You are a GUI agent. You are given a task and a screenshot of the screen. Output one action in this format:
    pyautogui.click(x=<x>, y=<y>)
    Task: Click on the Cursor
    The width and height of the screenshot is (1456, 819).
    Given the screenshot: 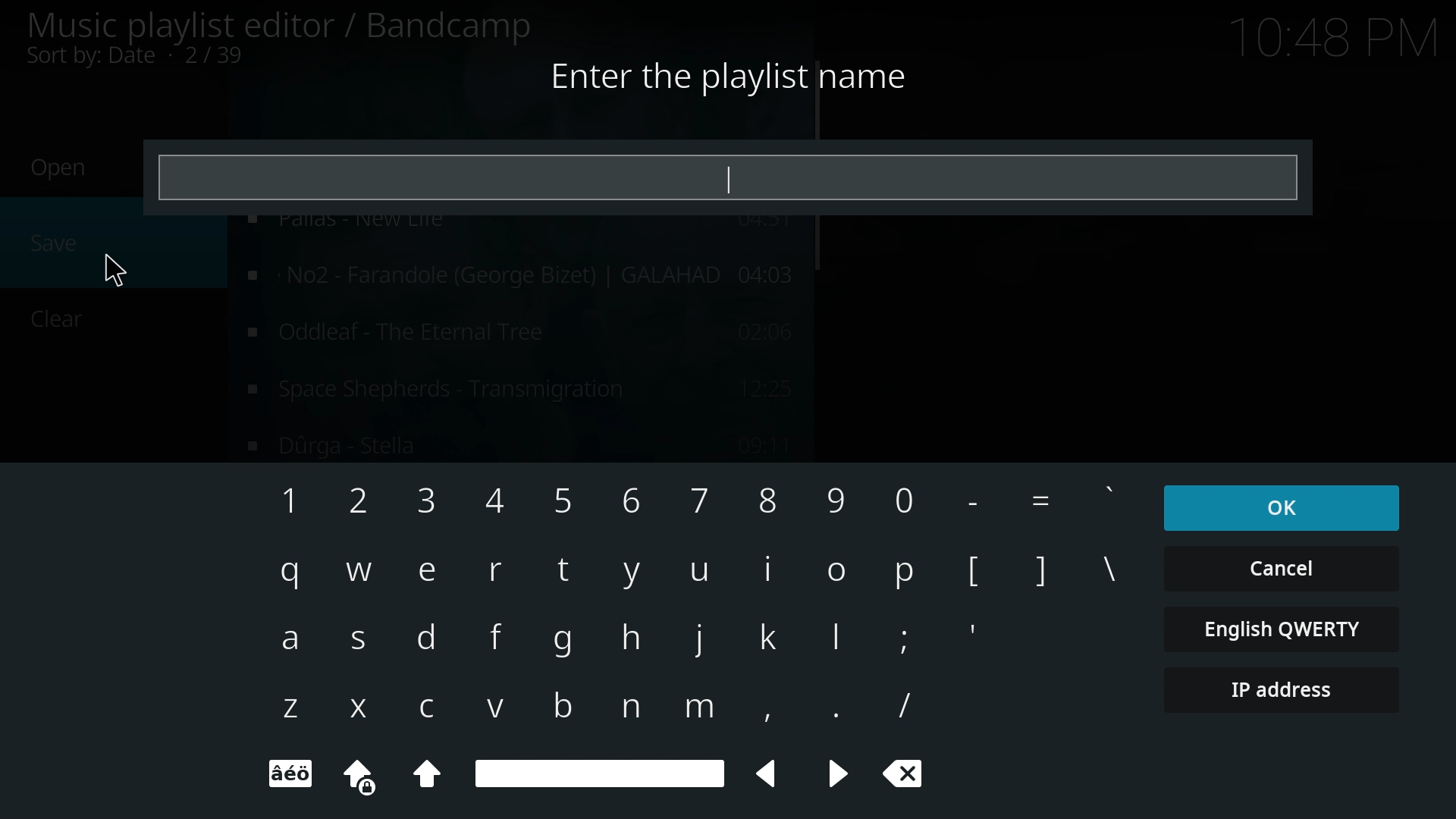 What is the action you would take?
    pyautogui.click(x=109, y=276)
    